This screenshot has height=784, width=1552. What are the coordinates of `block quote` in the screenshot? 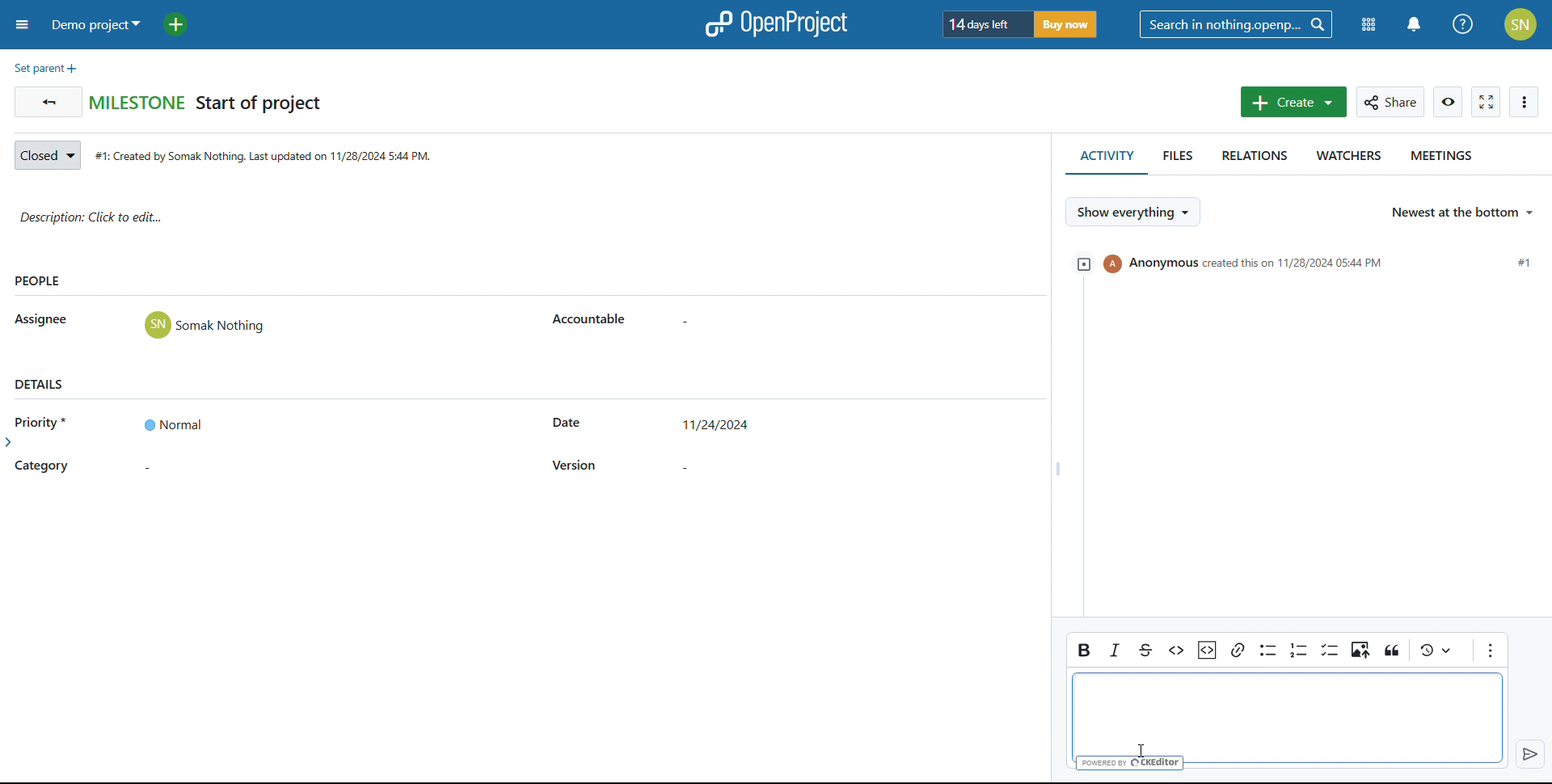 It's located at (1439, 649).